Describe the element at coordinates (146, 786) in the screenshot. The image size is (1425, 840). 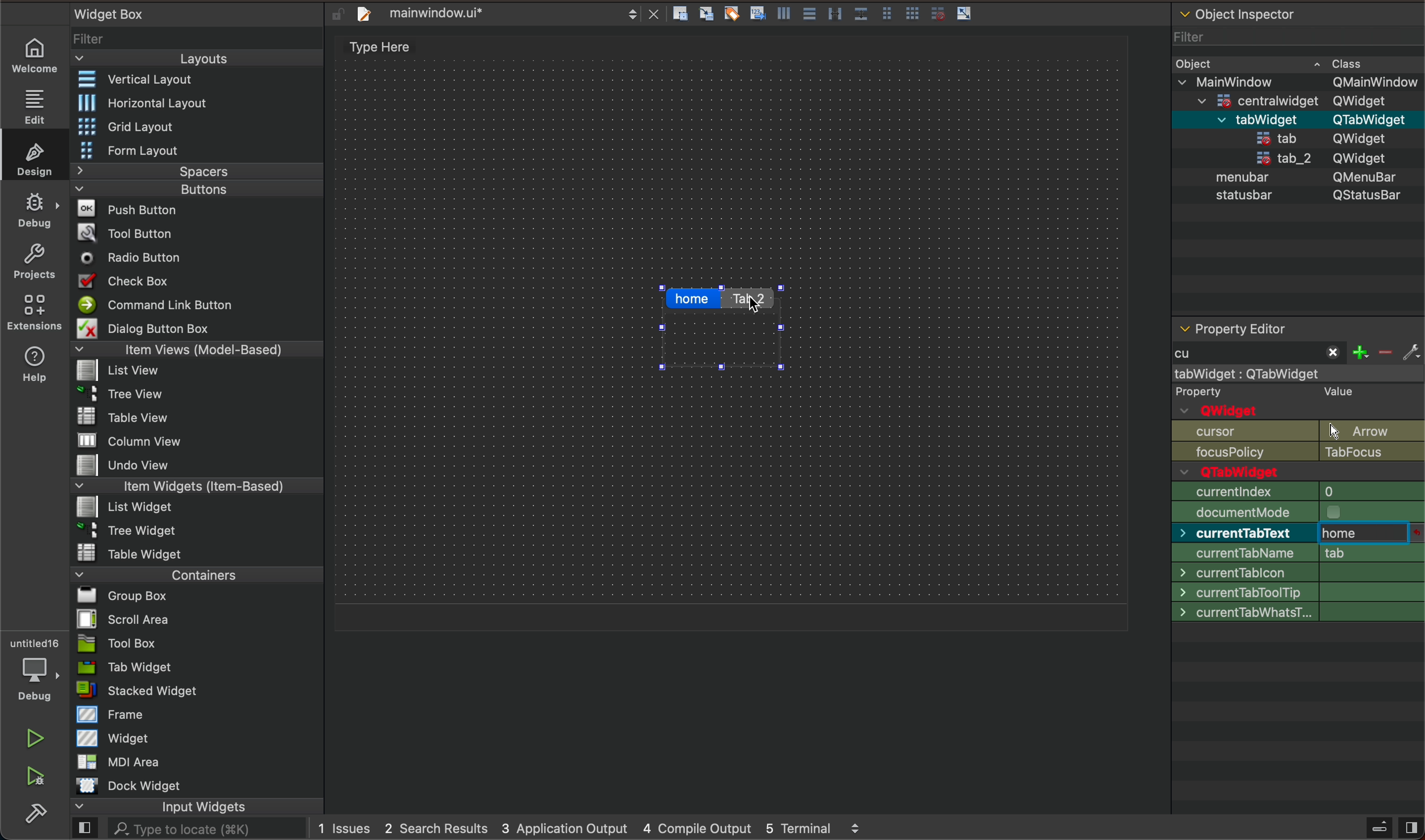
I see `Dock widget` at that location.